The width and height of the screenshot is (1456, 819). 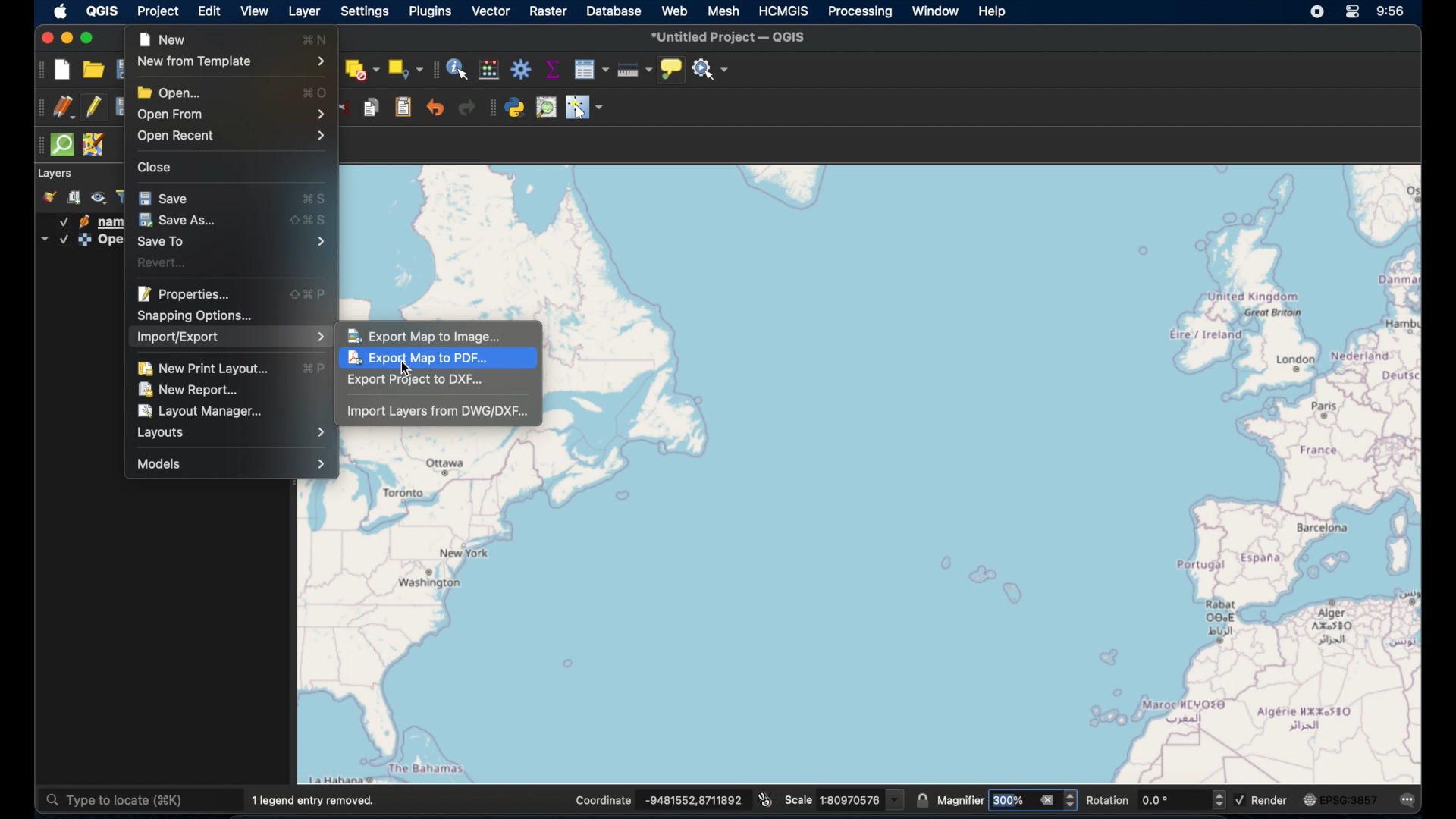 I want to click on HCMGIS, so click(x=783, y=11).